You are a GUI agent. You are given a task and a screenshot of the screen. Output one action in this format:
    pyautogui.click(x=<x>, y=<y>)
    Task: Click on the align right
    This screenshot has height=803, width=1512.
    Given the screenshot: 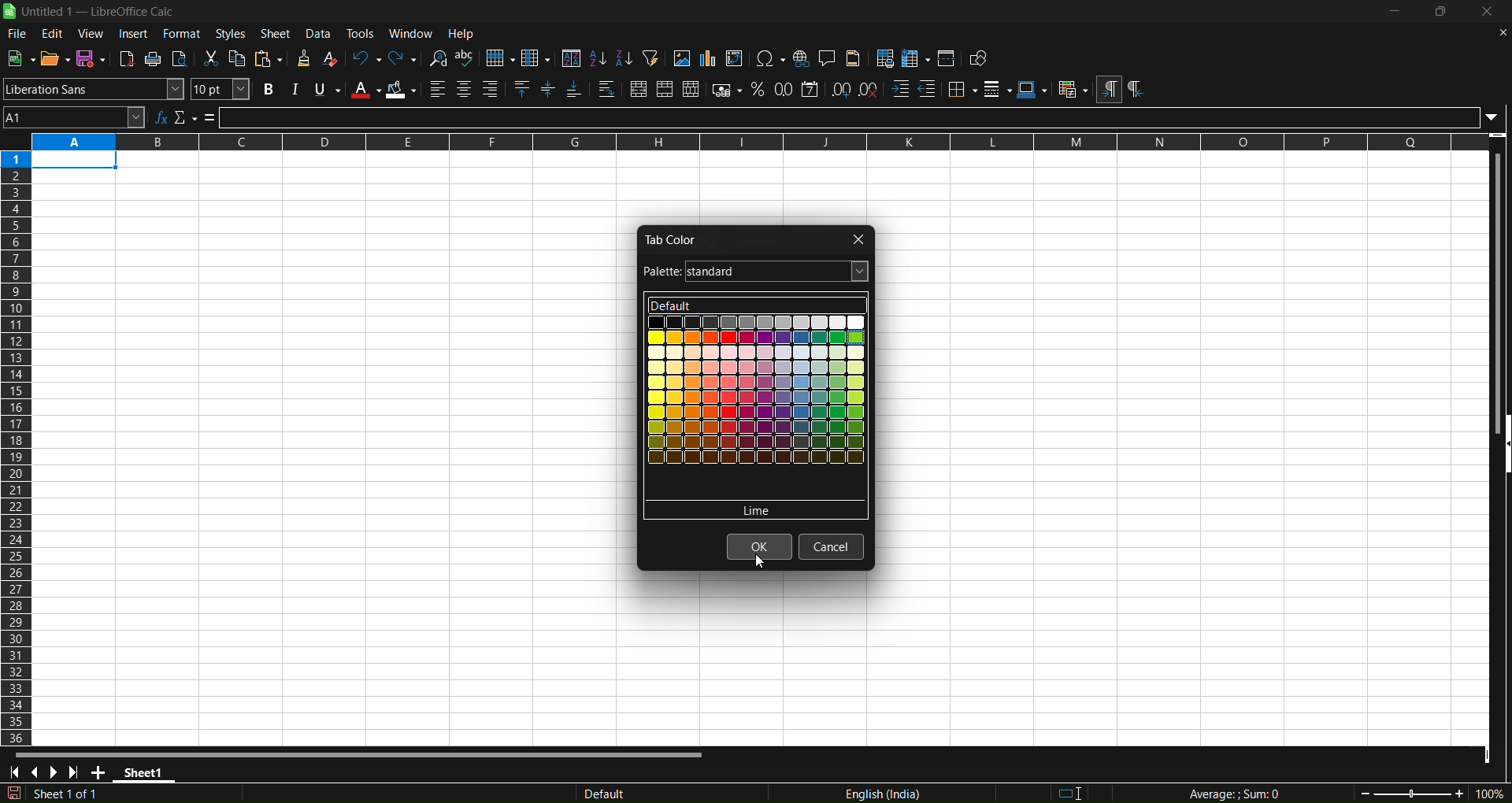 What is the action you would take?
    pyautogui.click(x=493, y=90)
    